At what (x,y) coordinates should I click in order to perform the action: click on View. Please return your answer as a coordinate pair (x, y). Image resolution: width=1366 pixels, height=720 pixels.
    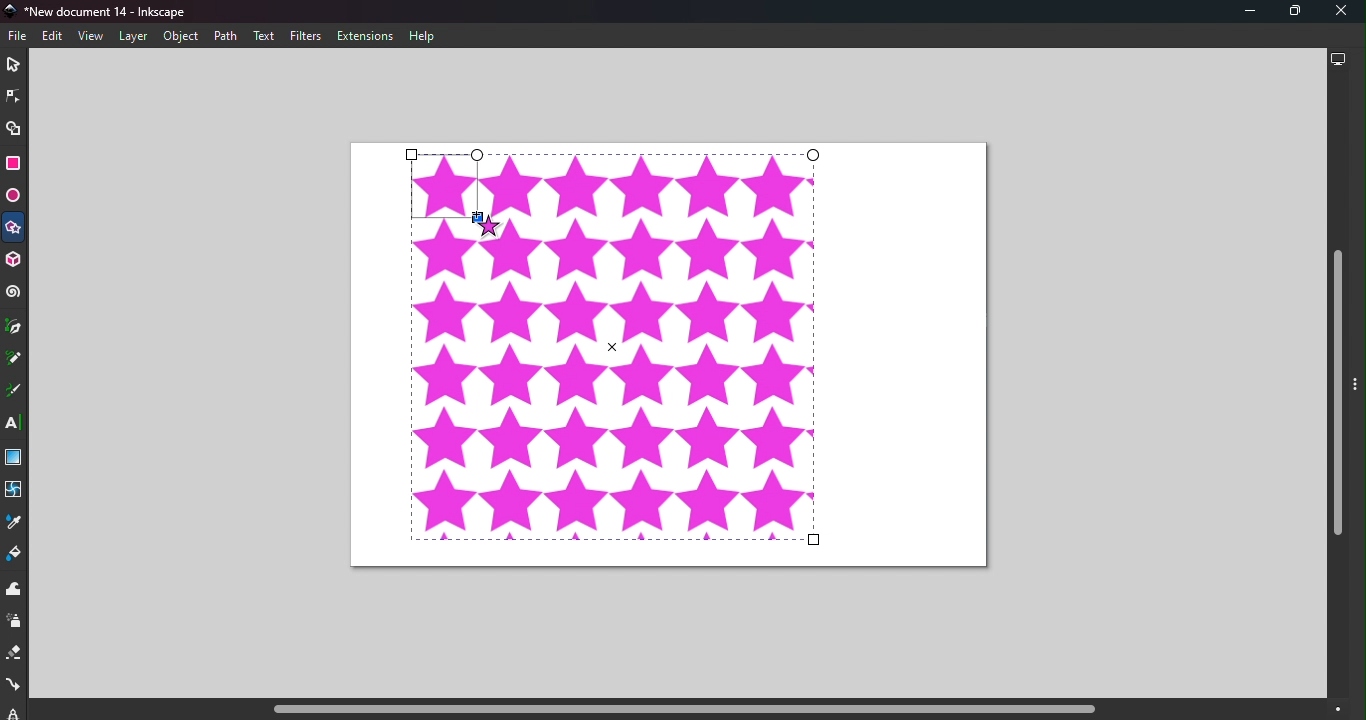
    Looking at the image, I should click on (90, 35).